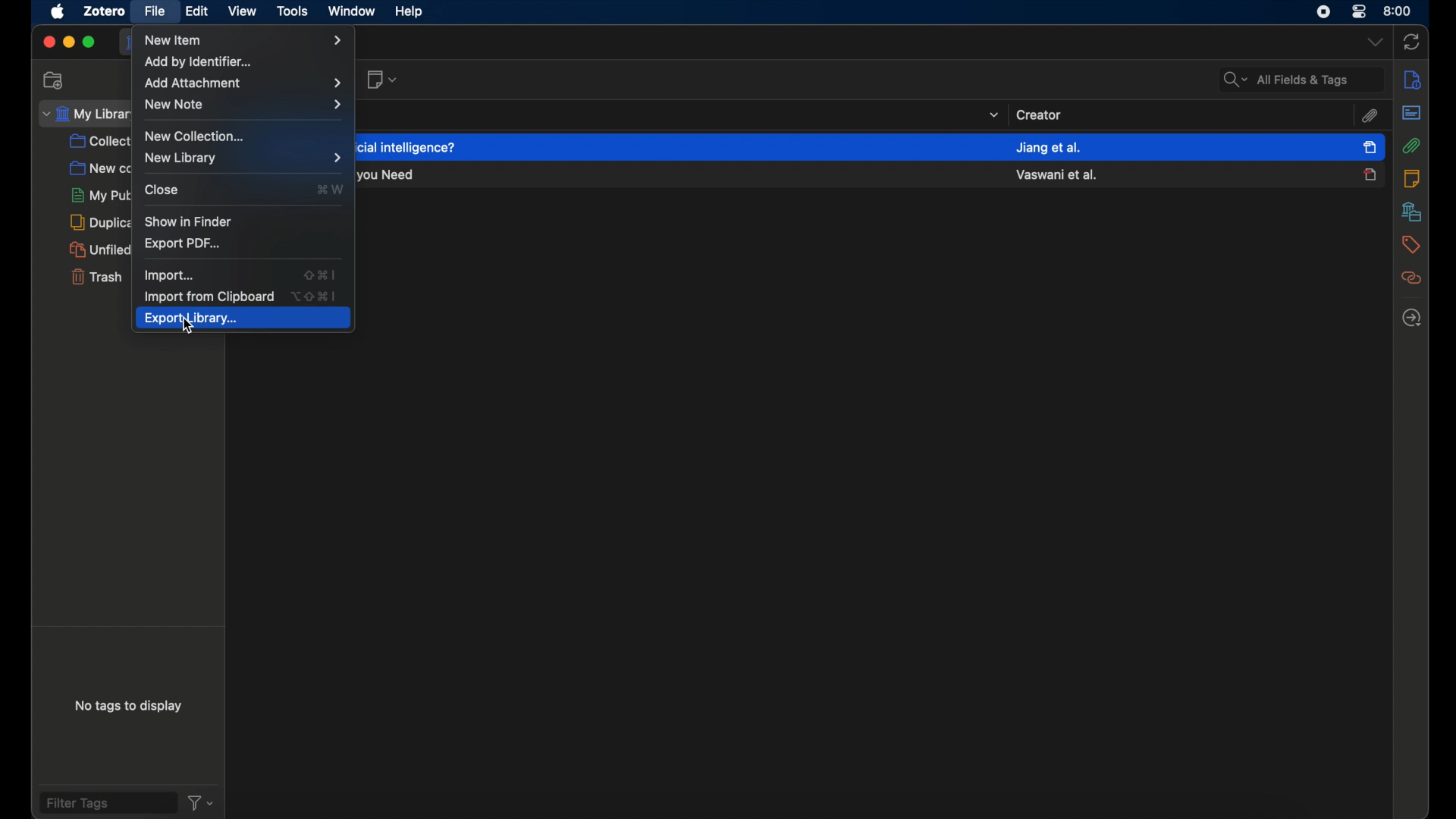 The width and height of the screenshot is (1456, 819). What do you see at coordinates (1410, 212) in the screenshot?
I see `libraries and collections` at bounding box center [1410, 212].